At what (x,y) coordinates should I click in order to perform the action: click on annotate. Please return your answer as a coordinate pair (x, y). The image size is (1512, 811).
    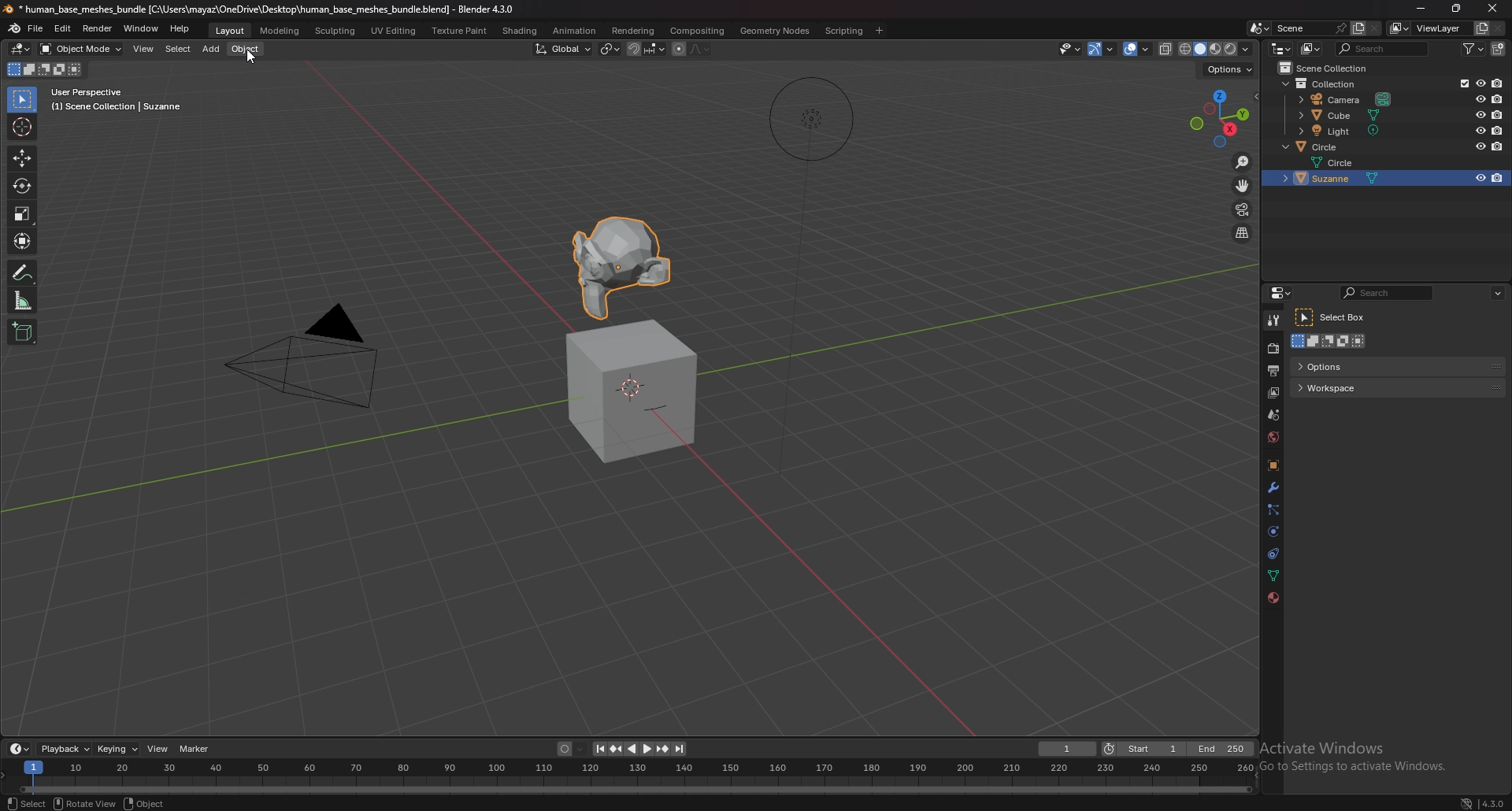
    Looking at the image, I should click on (24, 272).